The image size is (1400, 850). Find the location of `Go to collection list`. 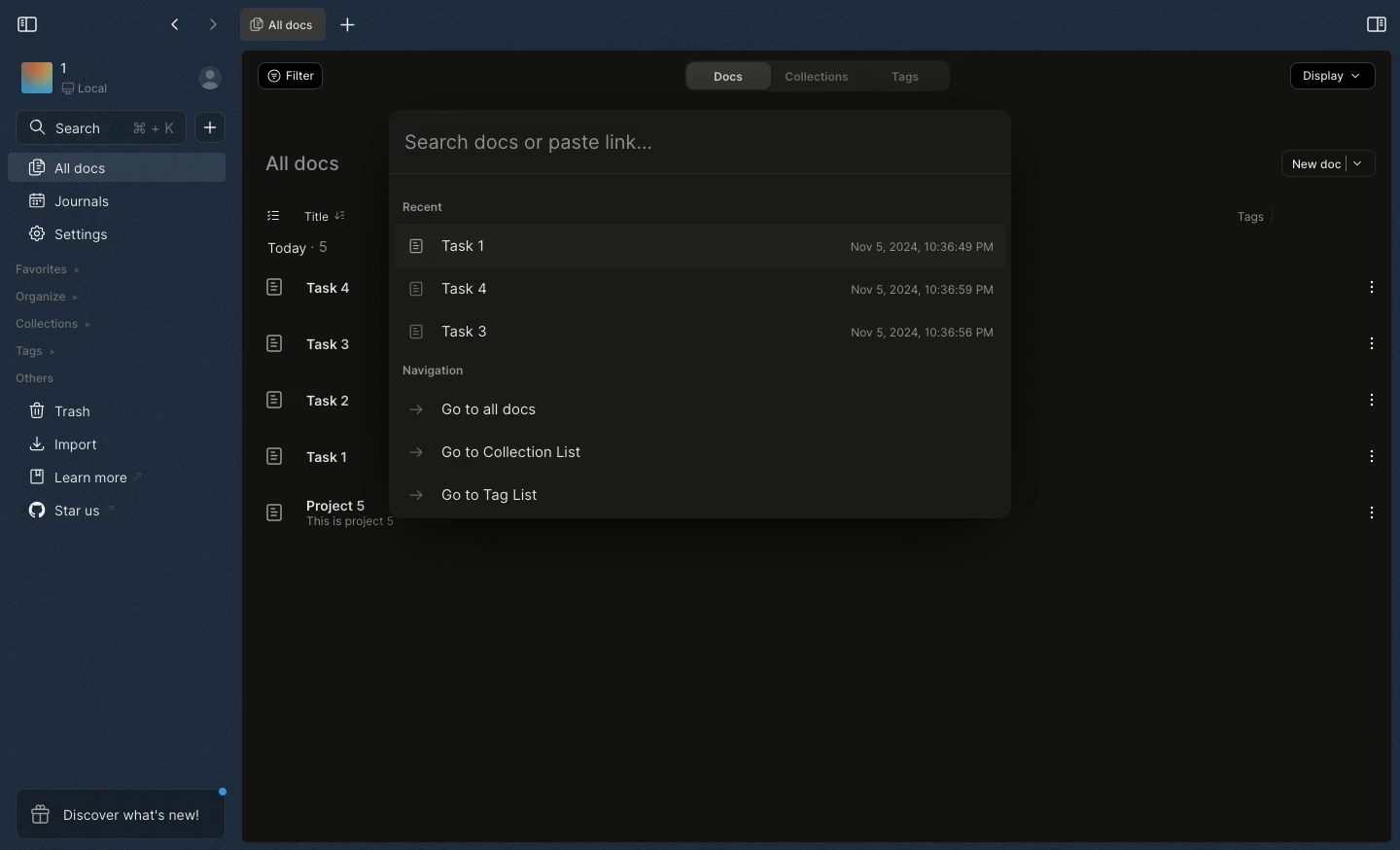

Go to collection list is located at coordinates (499, 450).